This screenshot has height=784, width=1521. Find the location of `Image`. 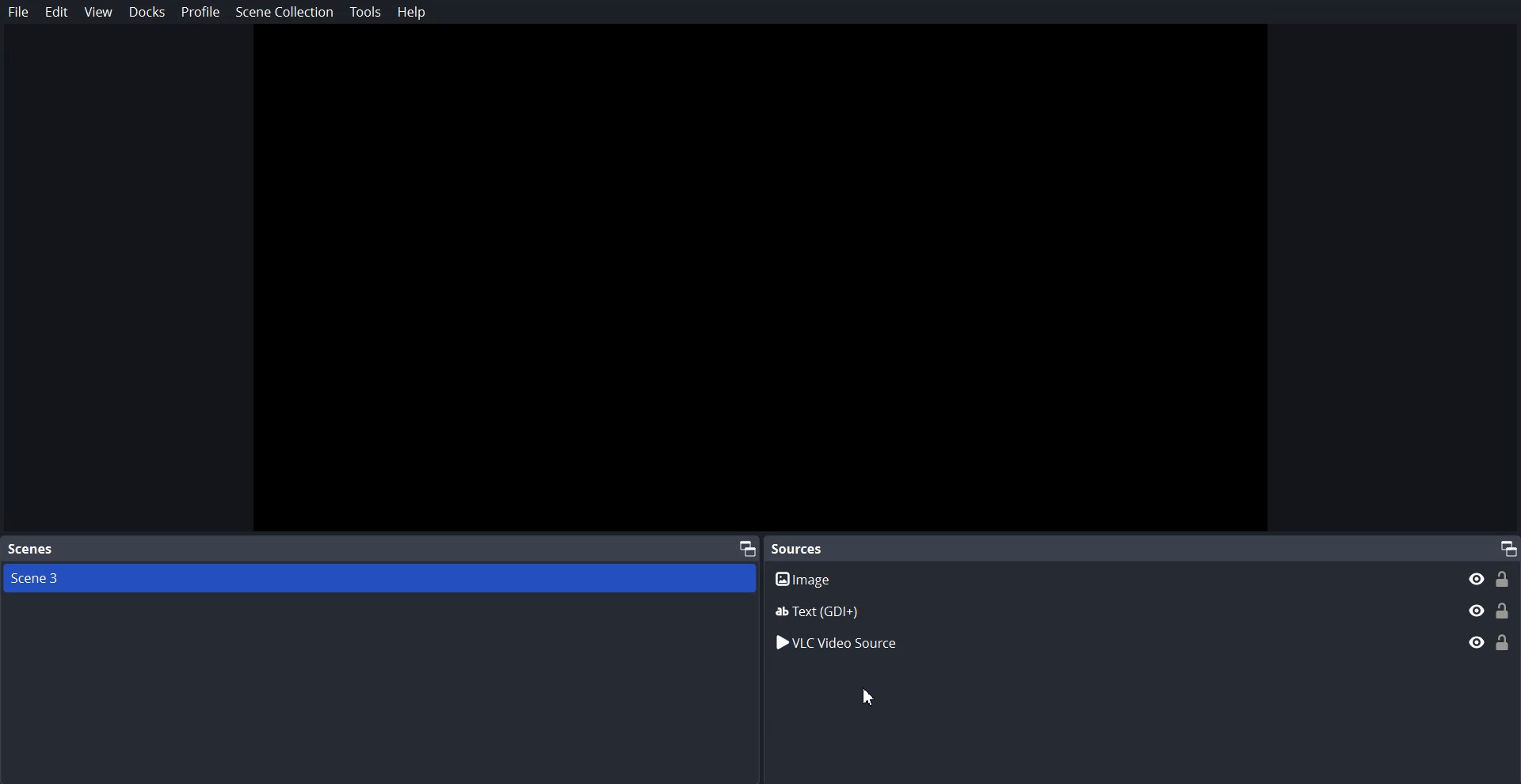

Image is located at coordinates (1143, 578).